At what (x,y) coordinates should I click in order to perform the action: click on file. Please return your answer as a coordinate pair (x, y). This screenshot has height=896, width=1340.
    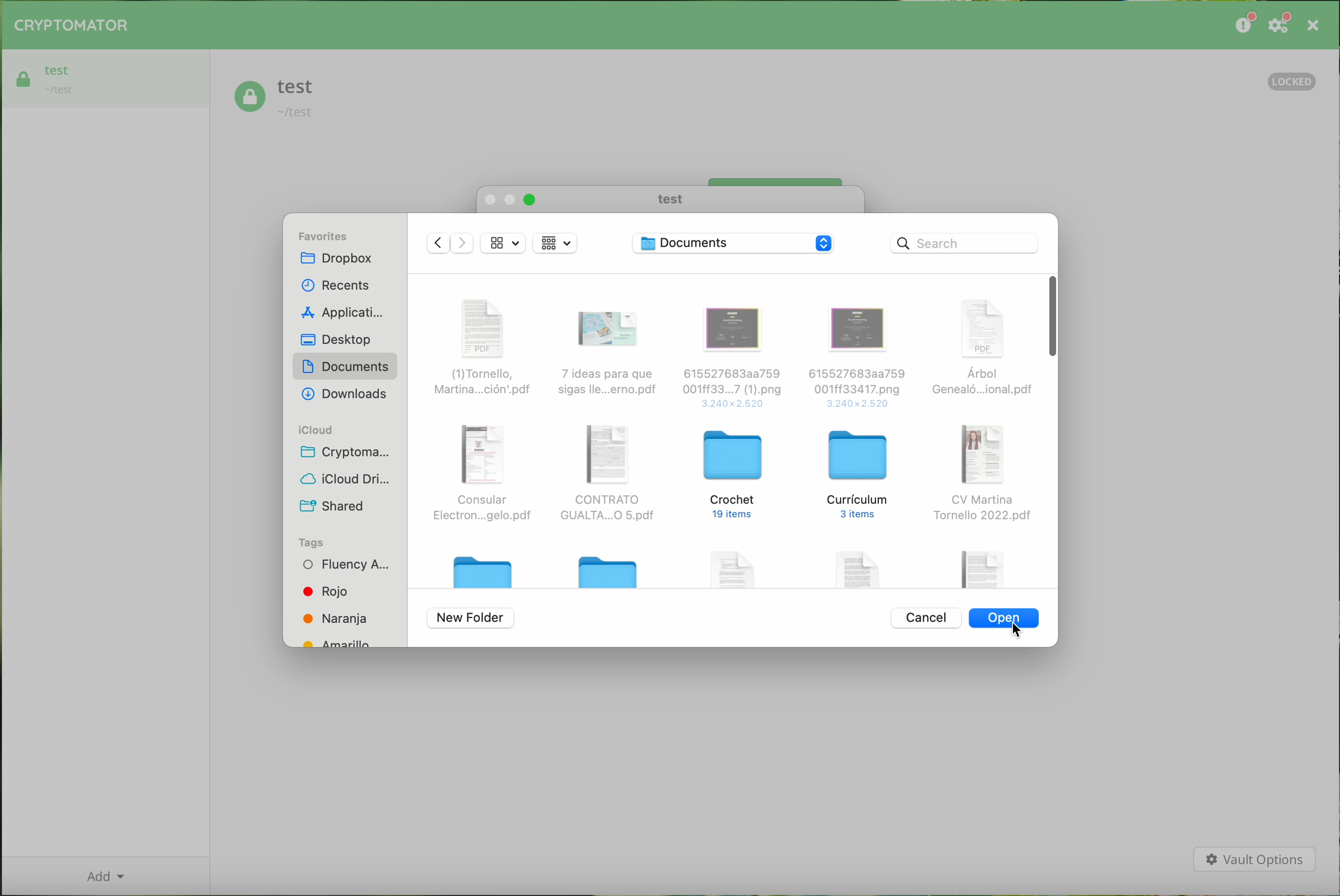
    Looking at the image, I should click on (982, 566).